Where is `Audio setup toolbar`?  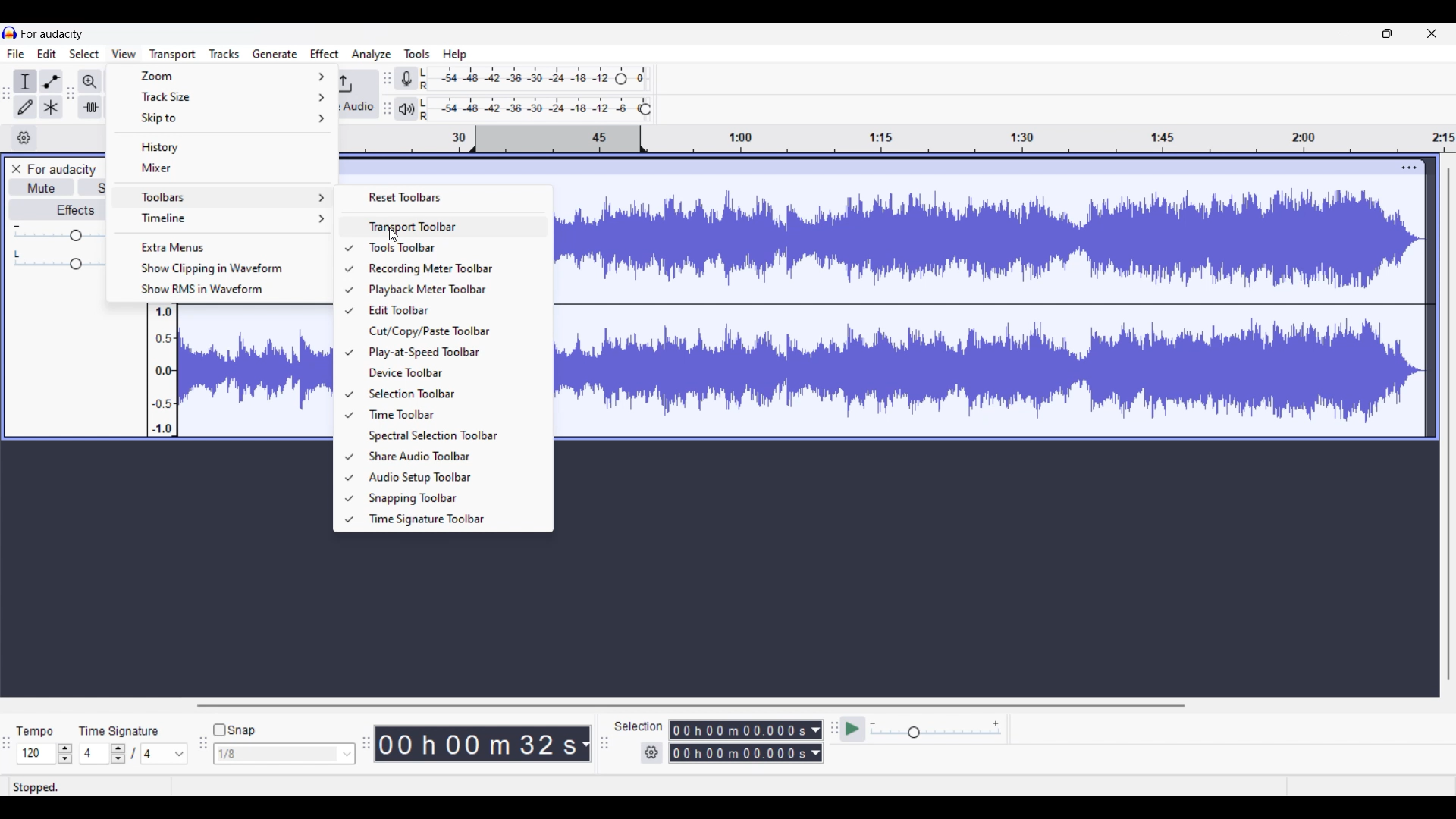
Audio setup toolbar is located at coordinates (453, 478).